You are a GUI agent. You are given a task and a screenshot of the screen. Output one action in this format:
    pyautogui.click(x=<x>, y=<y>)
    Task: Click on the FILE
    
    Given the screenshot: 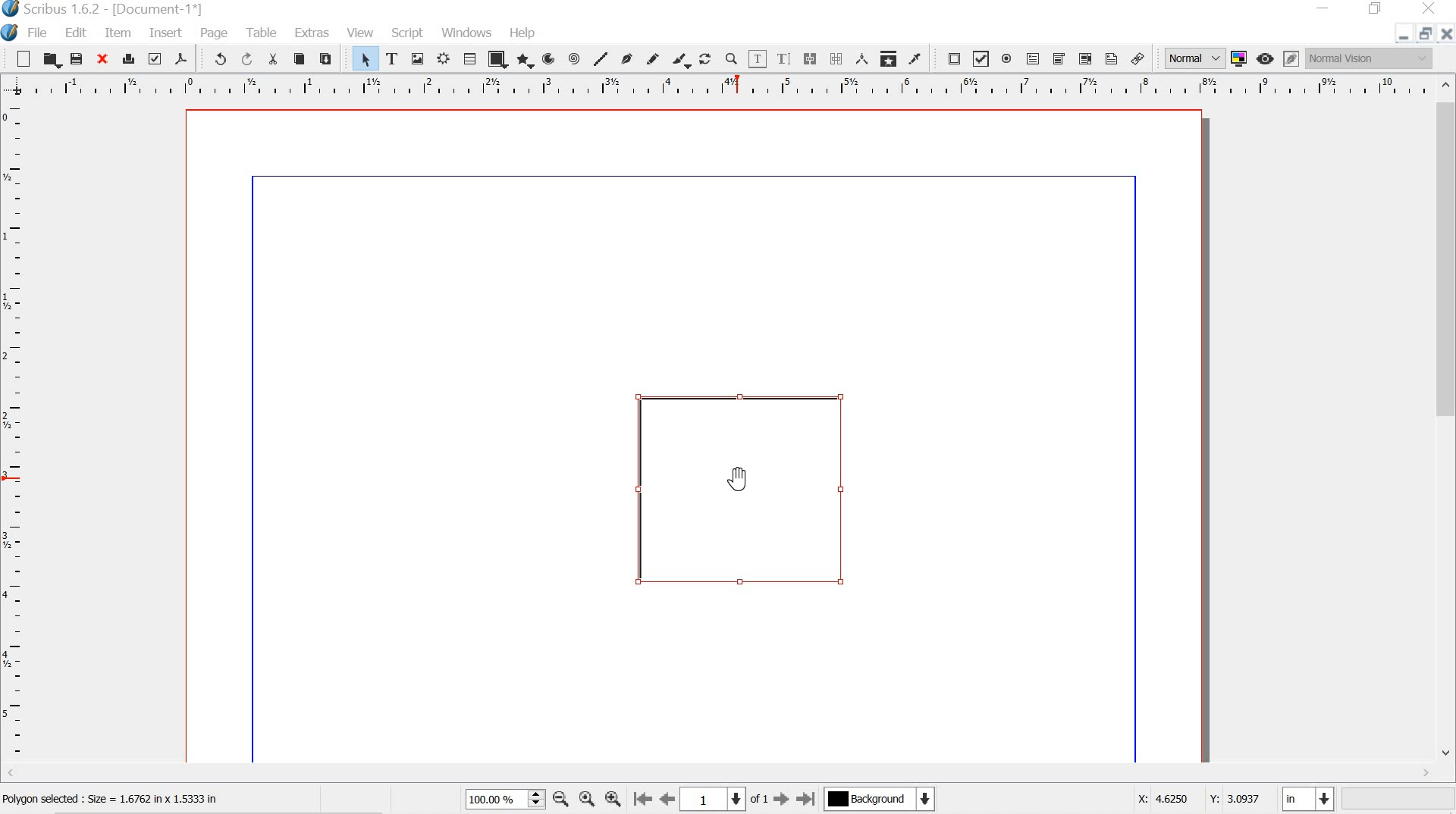 What is the action you would take?
    pyautogui.click(x=40, y=33)
    